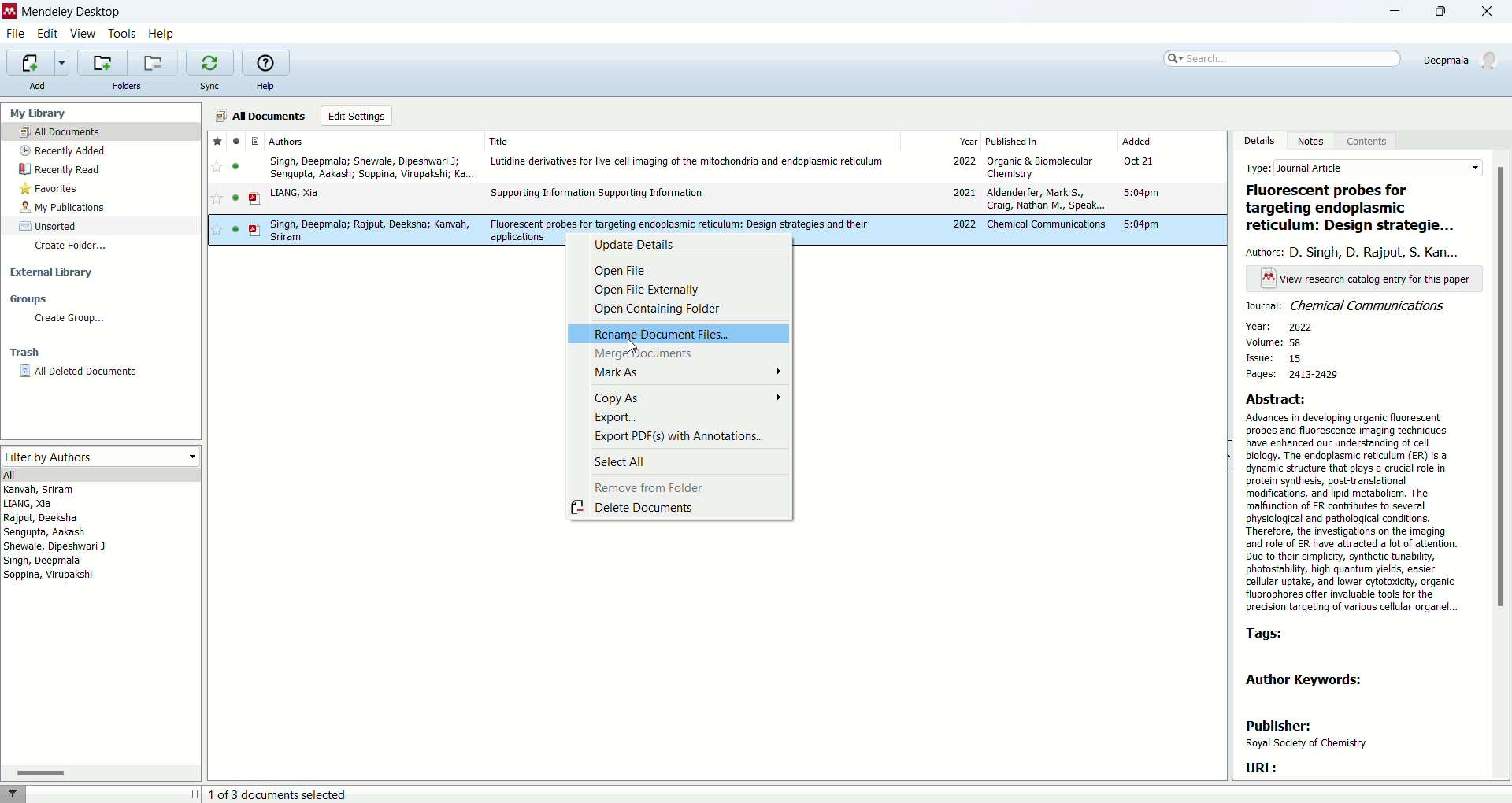 The height and width of the screenshot is (803, 1512). Describe the element at coordinates (280, 794) in the screenshot. I see `number of document selected` at that location.